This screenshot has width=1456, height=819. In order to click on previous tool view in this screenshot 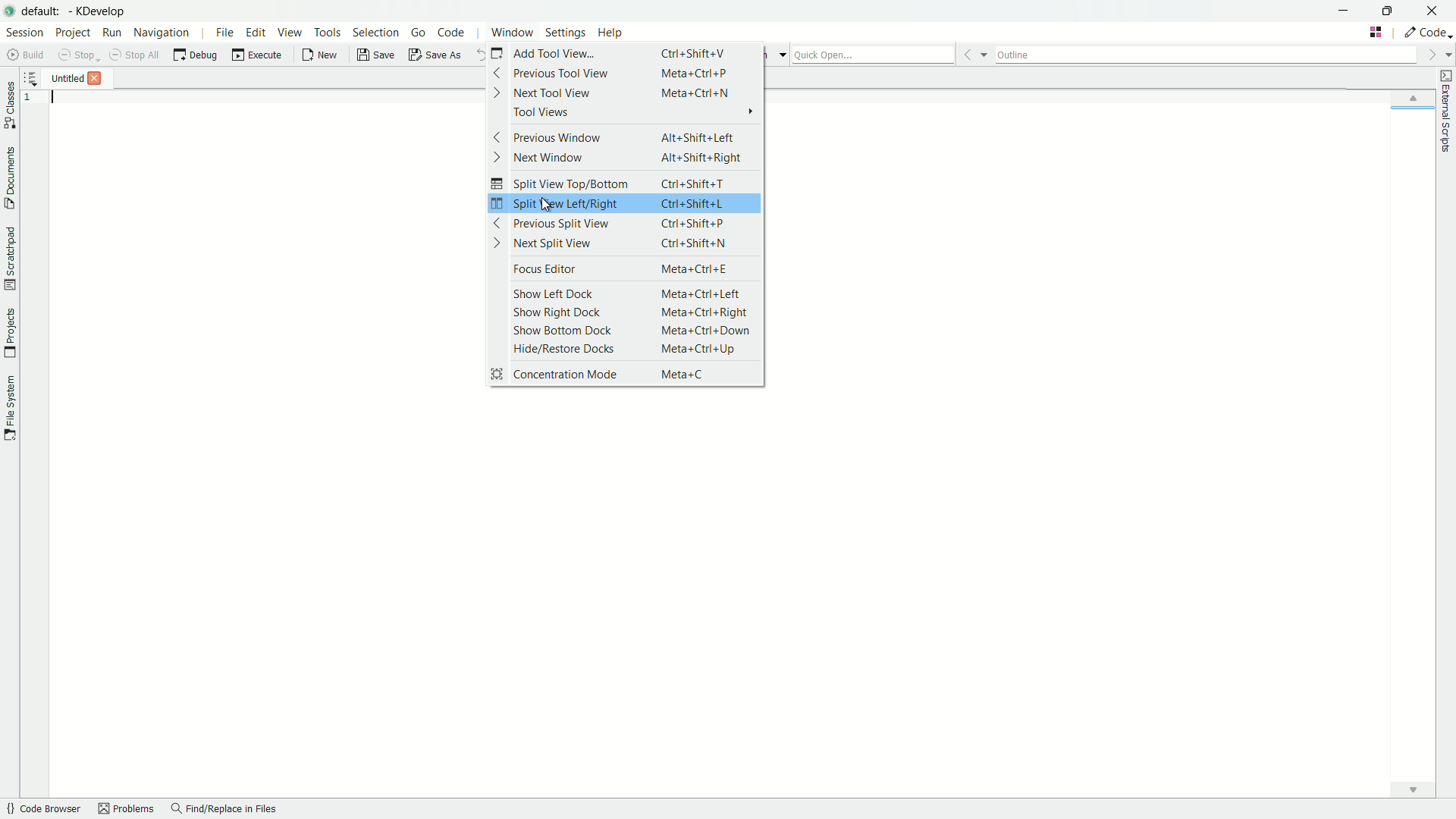, I will do `click(562, 74)`.